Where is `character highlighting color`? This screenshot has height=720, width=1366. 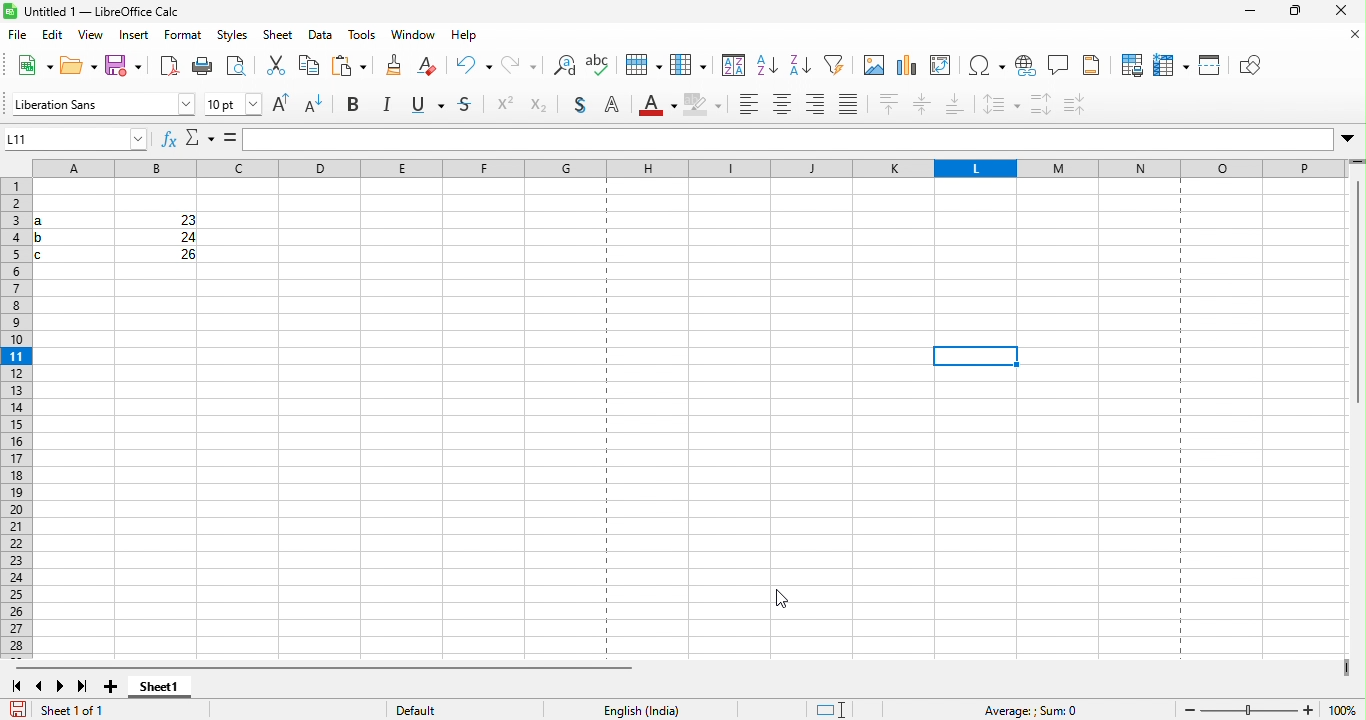
character highlighting color is located at coordinates (707, 106).